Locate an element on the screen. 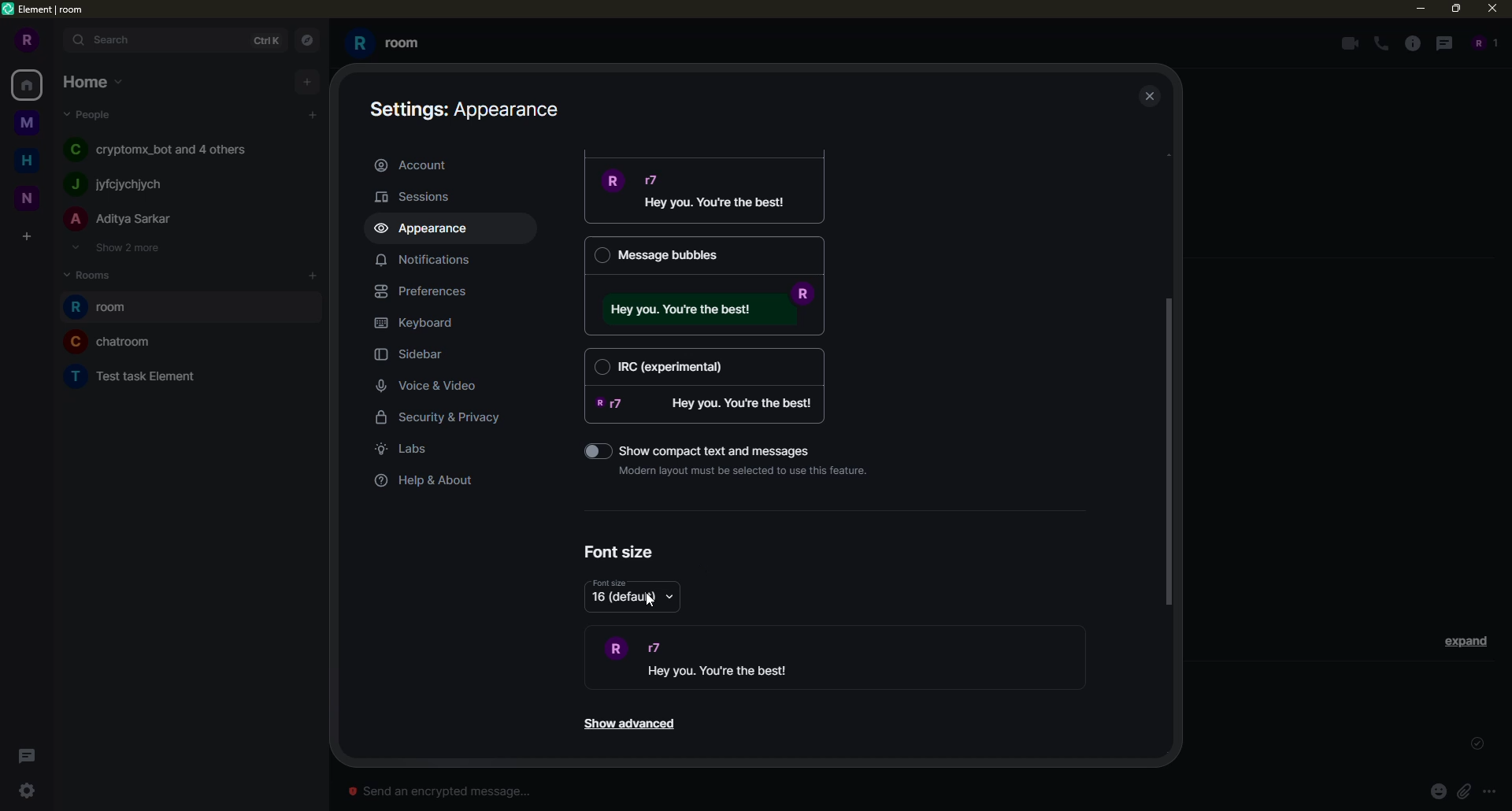 The width and height of the screenshot is (1512, 811). message is located at coordinates (709, 194).